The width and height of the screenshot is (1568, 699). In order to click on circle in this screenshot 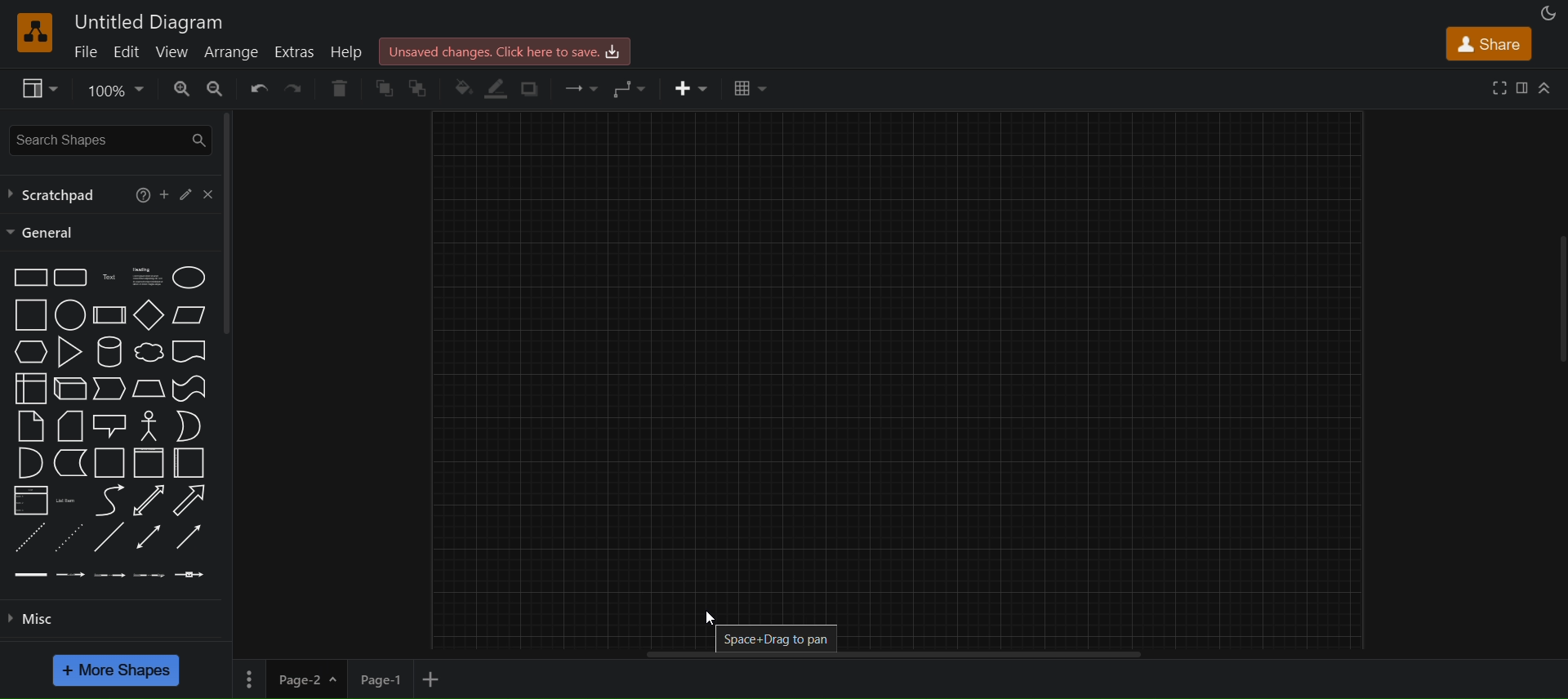, I will do `click(69, 315)`.